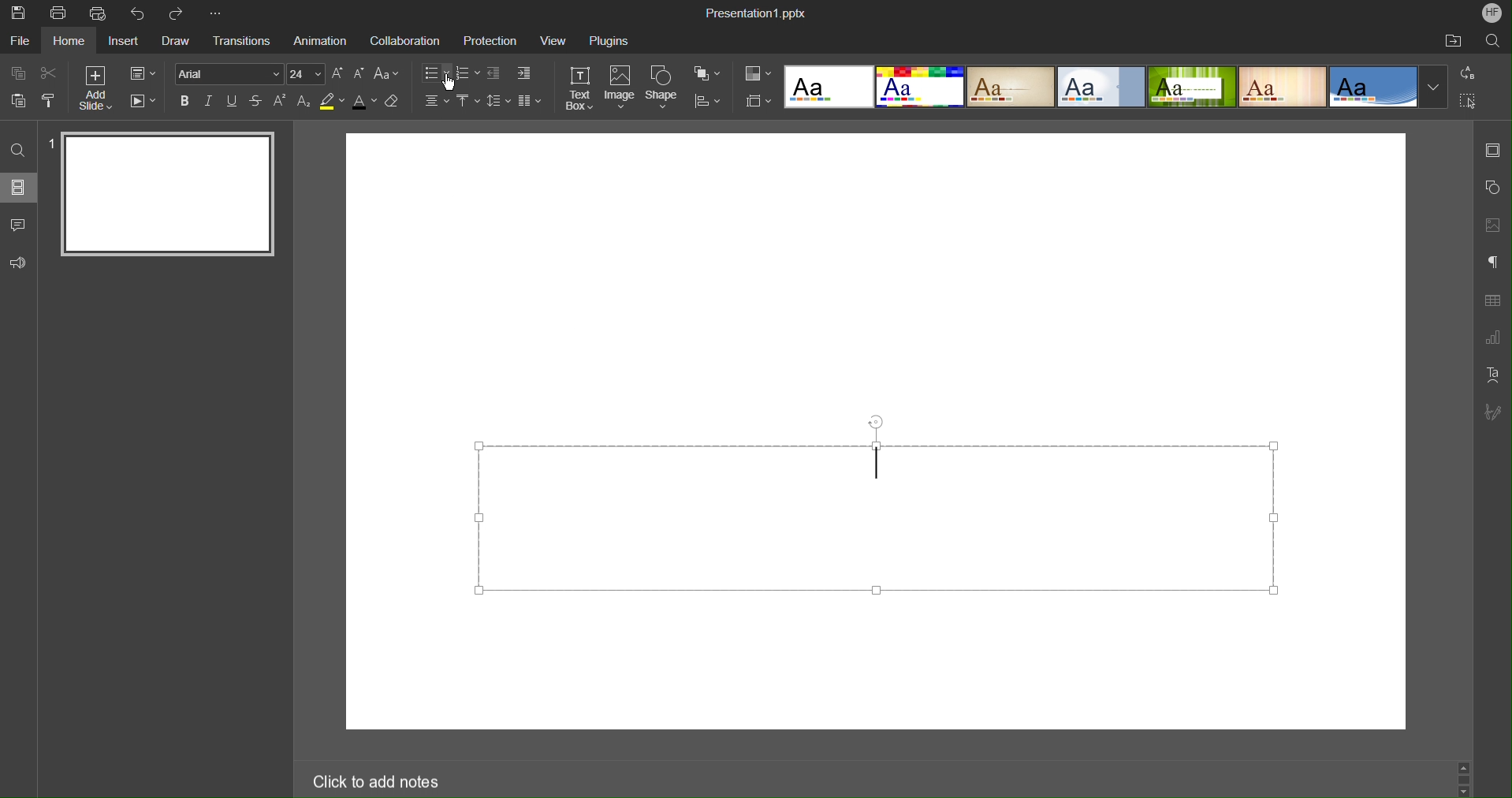 The image size is (1512, 798). What do you see at coordinates (143, 73) in the screenshot?
I see `Slide Settings` at bounding box center [143, 73].